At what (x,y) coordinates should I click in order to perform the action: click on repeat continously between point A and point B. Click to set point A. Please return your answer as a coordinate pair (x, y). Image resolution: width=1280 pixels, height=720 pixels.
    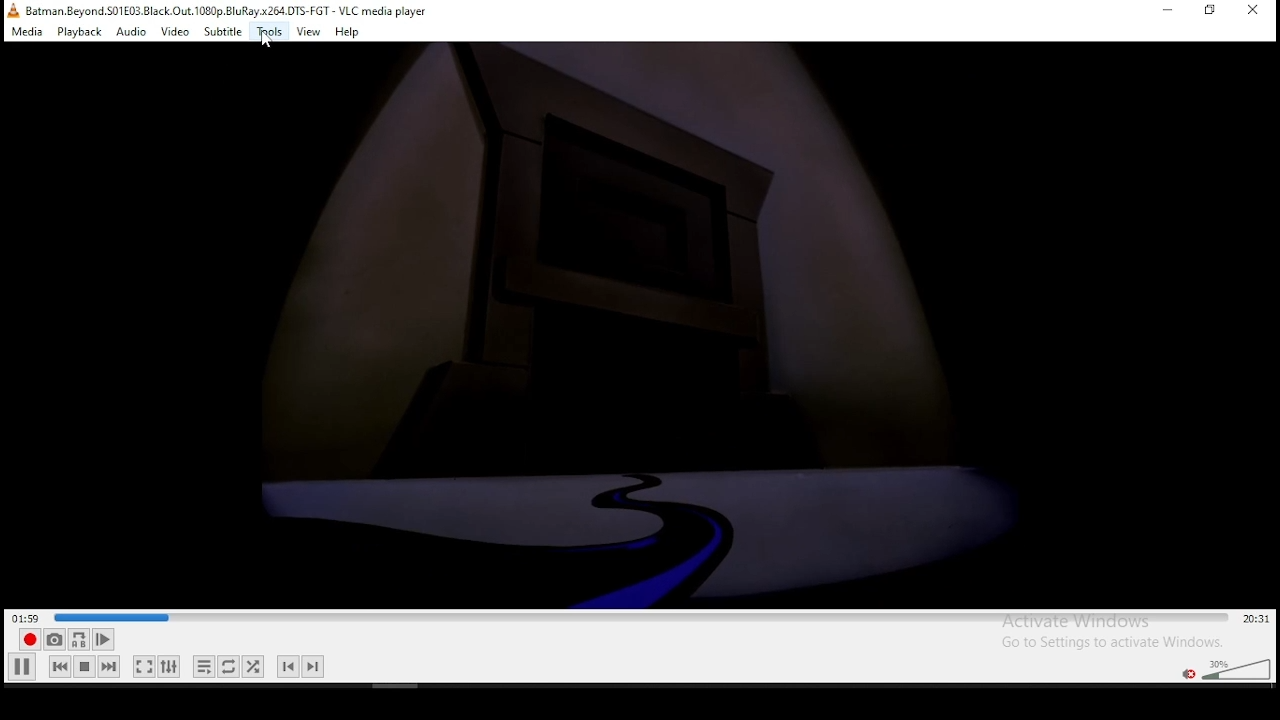
    Looking at the image, I should click on (77, 639).